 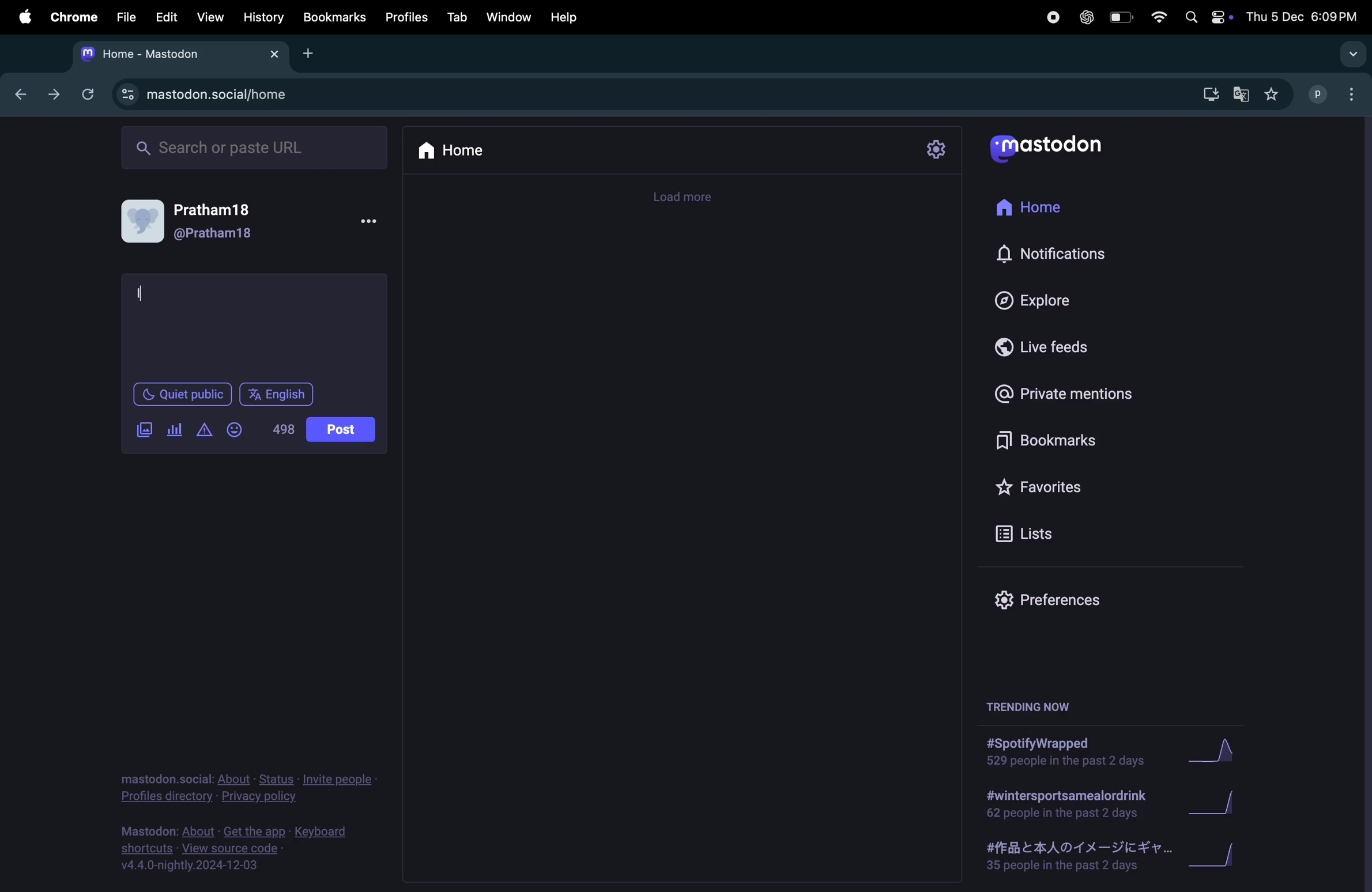 I want to click on record, so click(x=1049, y=20).